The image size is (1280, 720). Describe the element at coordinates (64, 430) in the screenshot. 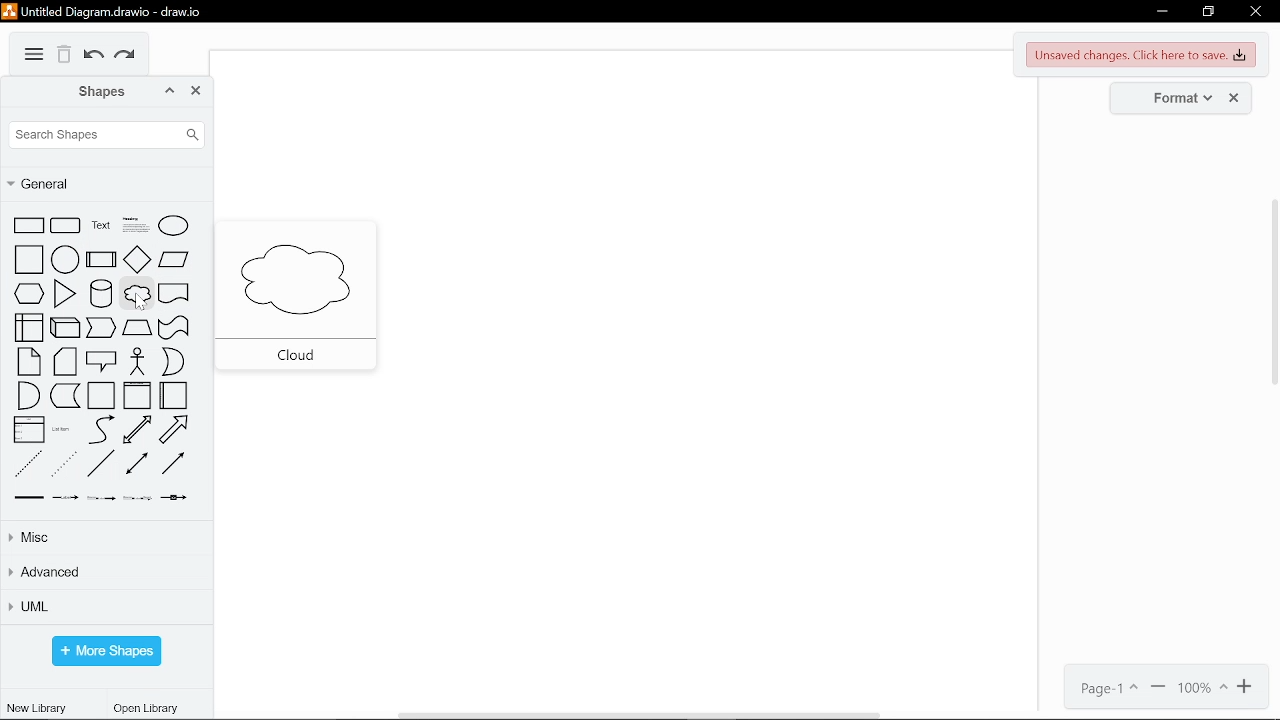

I see `list item` at that location.